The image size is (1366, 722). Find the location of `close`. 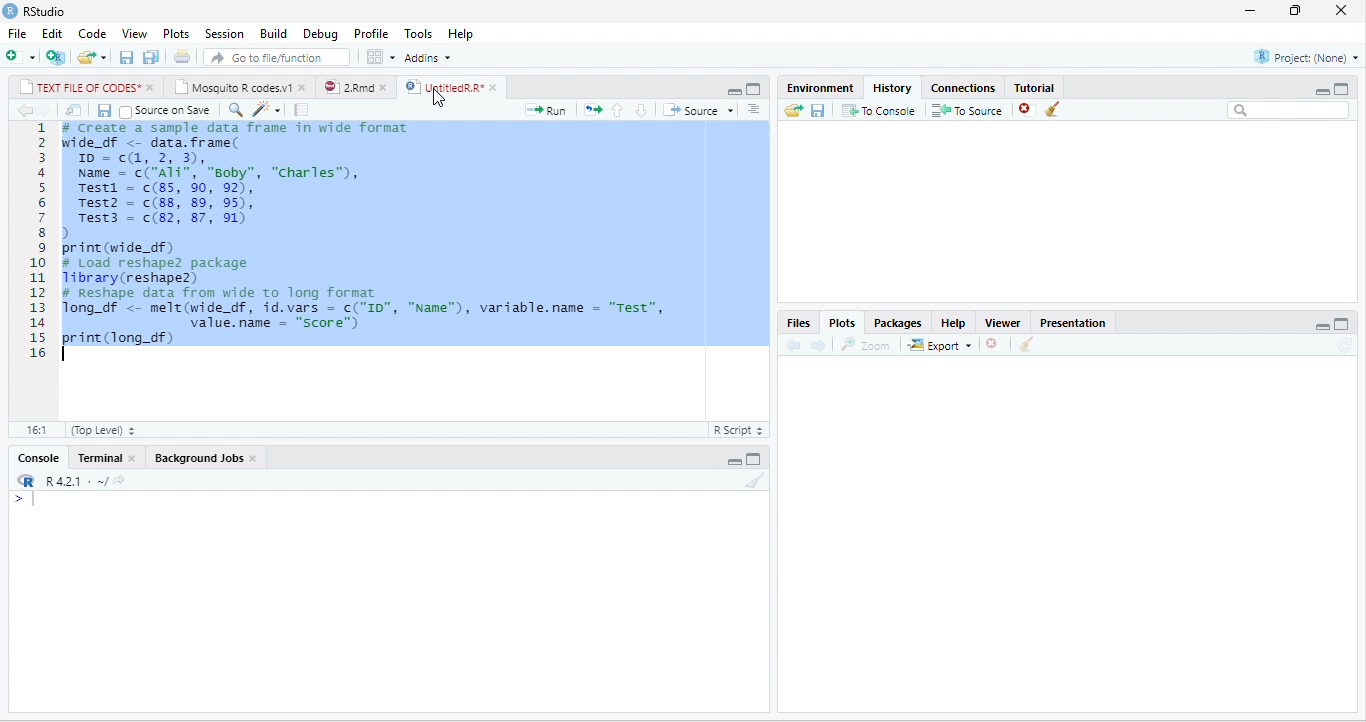

close is located at coordinates (496, 88).